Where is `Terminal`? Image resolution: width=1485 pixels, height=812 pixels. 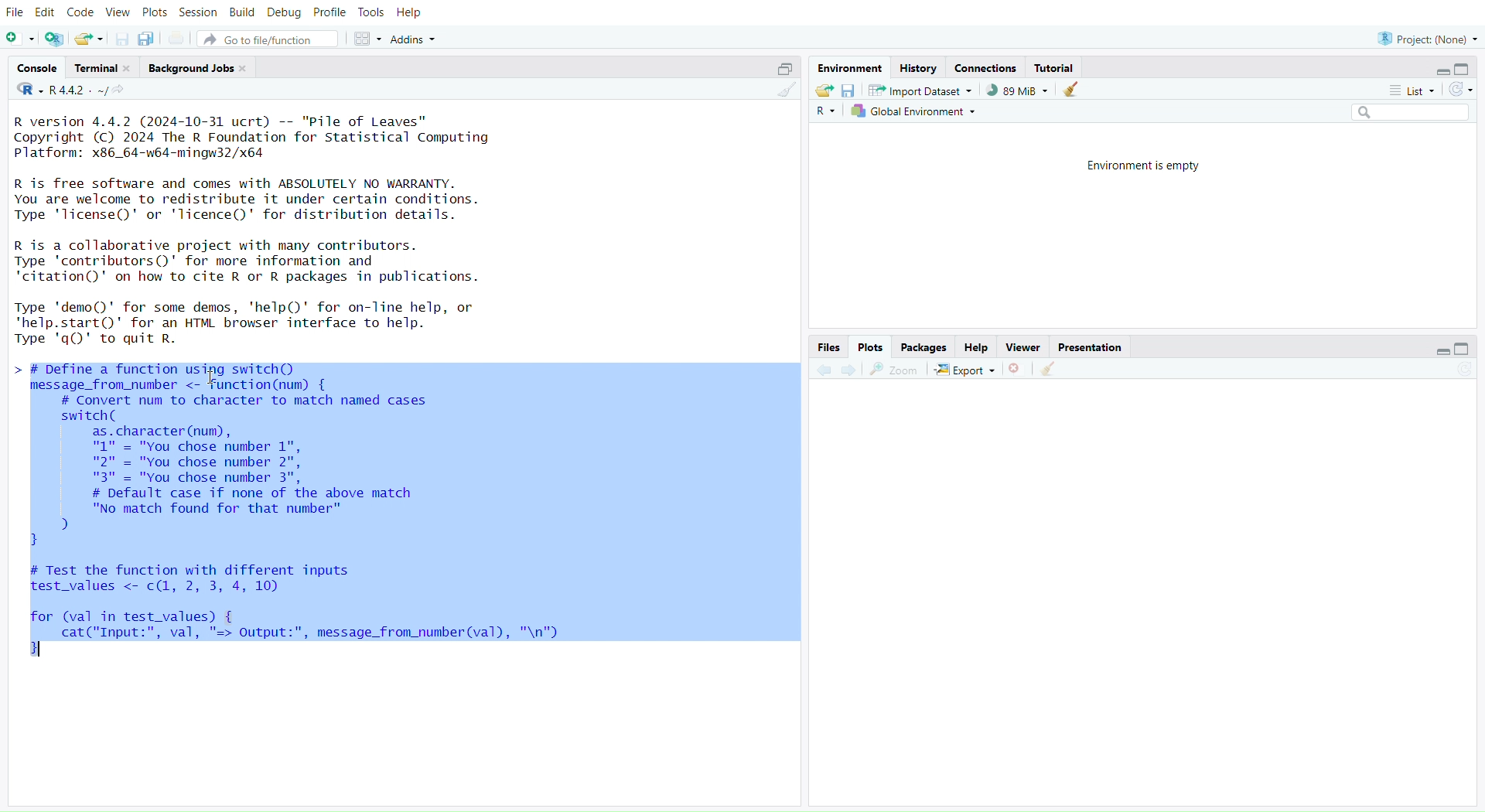
Terminal is located at coordinates (100, 67).